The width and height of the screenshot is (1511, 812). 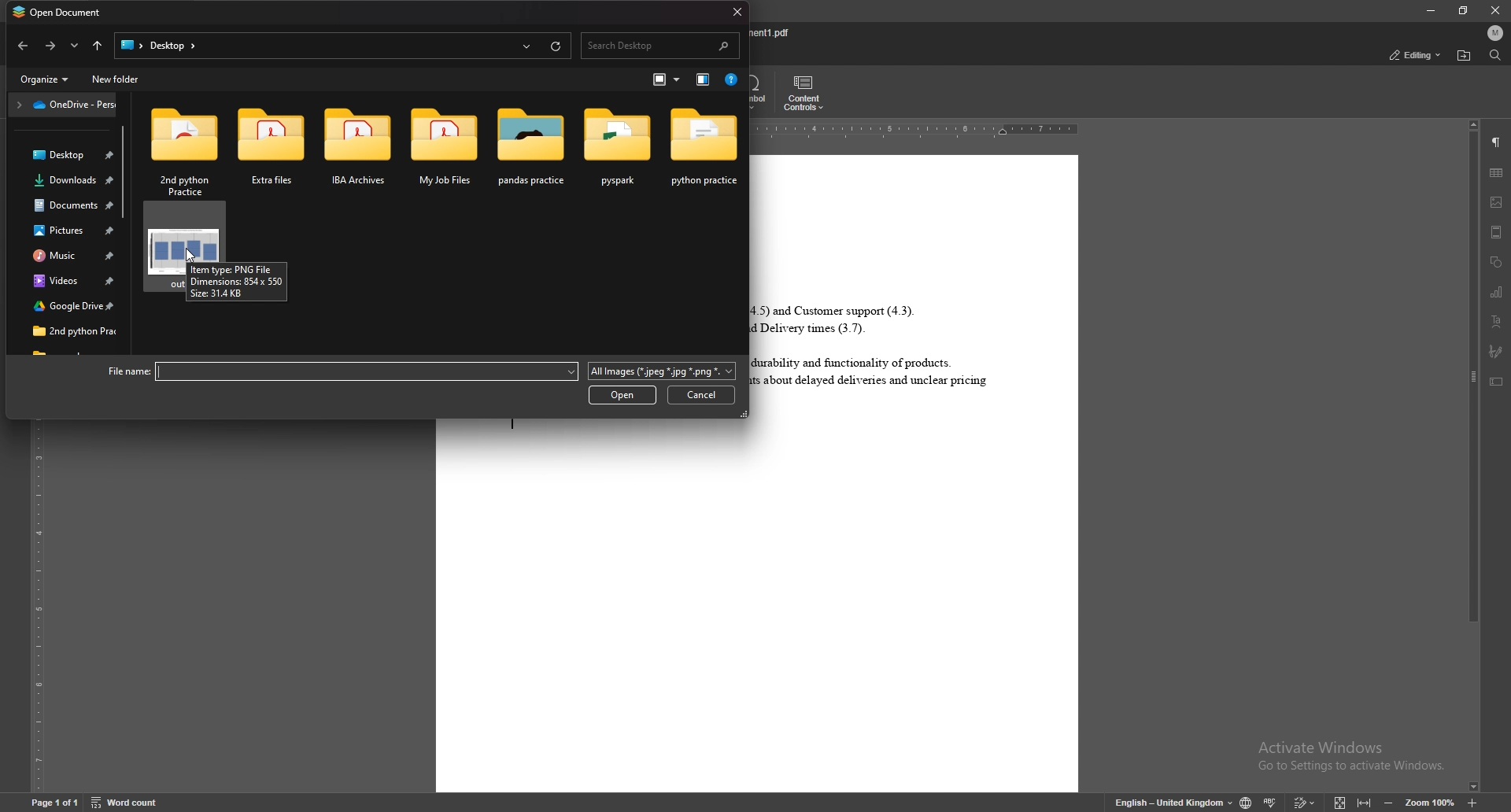 I want to click on search, so click(x=660, y=45).